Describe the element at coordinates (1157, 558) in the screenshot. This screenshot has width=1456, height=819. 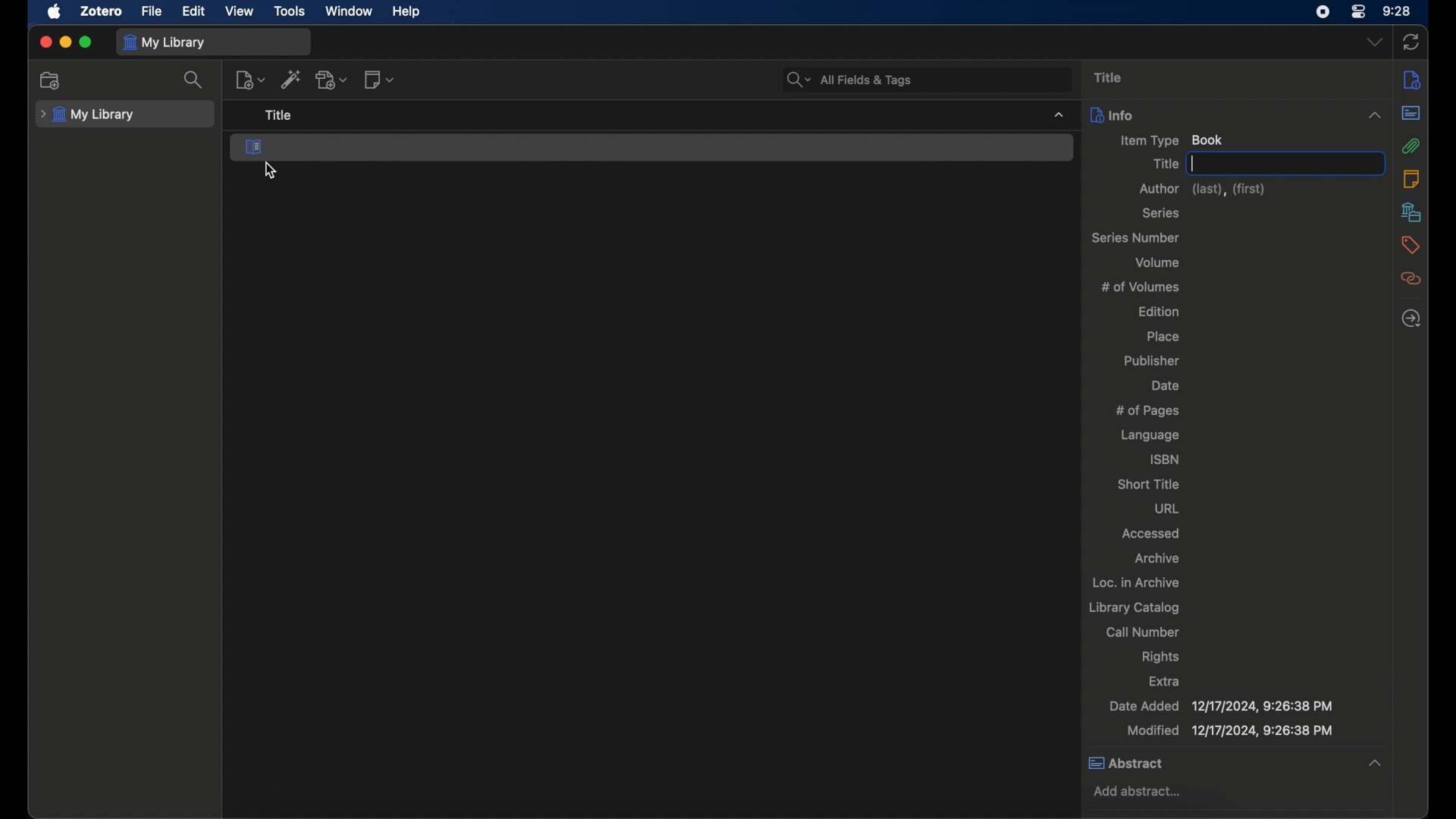
I see `archive` at that location.